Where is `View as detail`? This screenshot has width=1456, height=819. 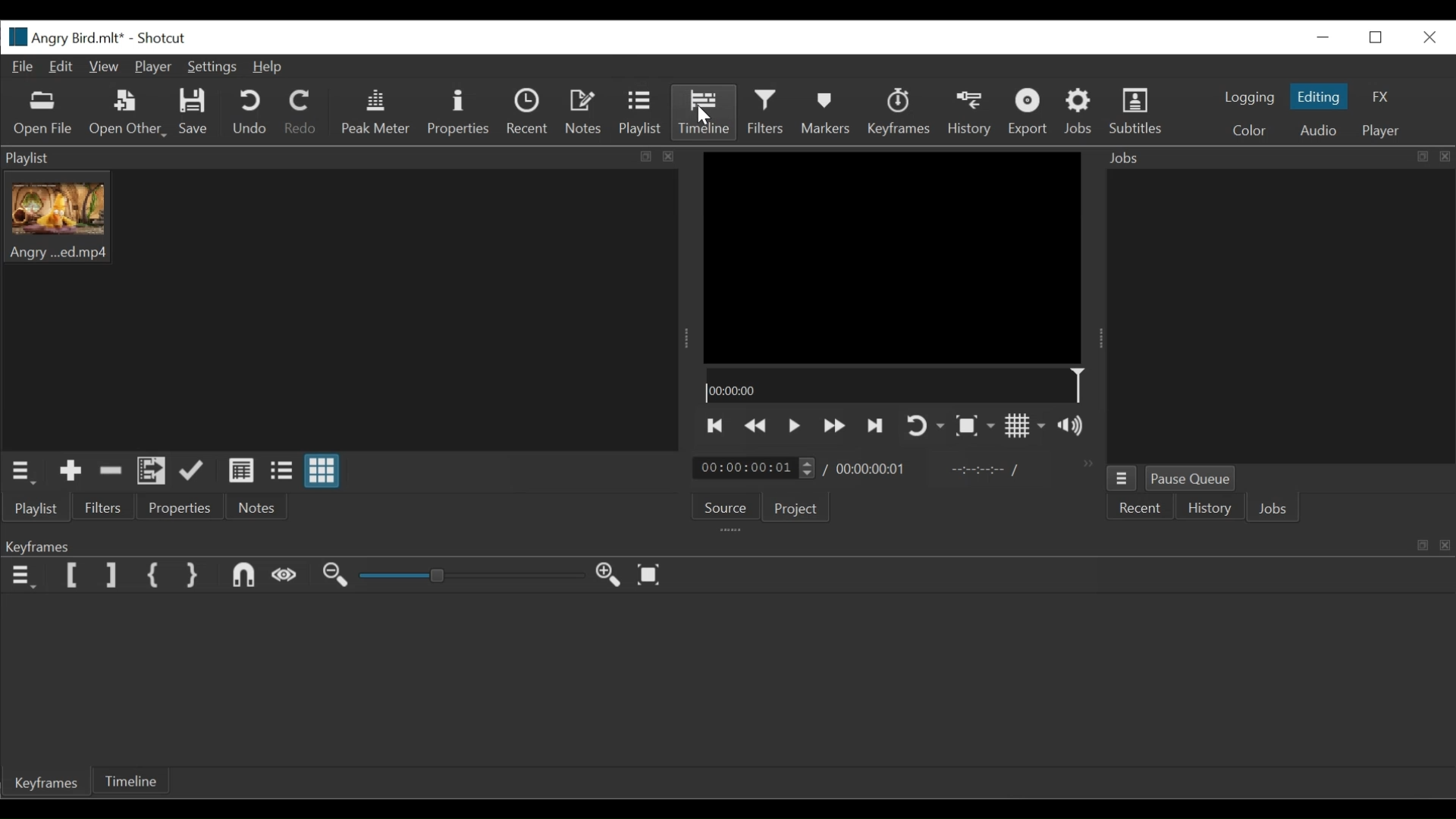
View as detail is located at coordinates (242, 472).